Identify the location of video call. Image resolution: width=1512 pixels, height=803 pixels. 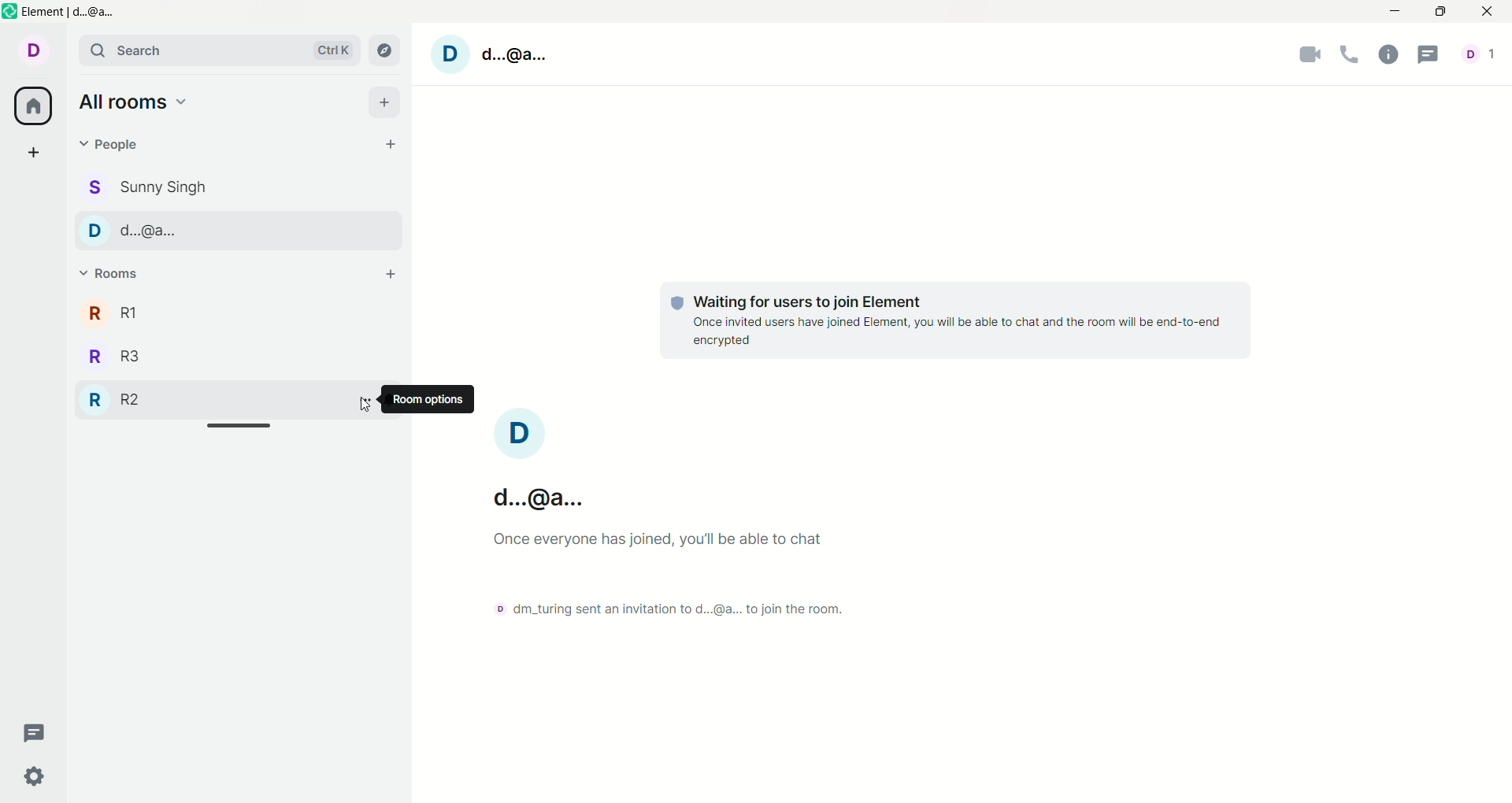
(1310, 57).